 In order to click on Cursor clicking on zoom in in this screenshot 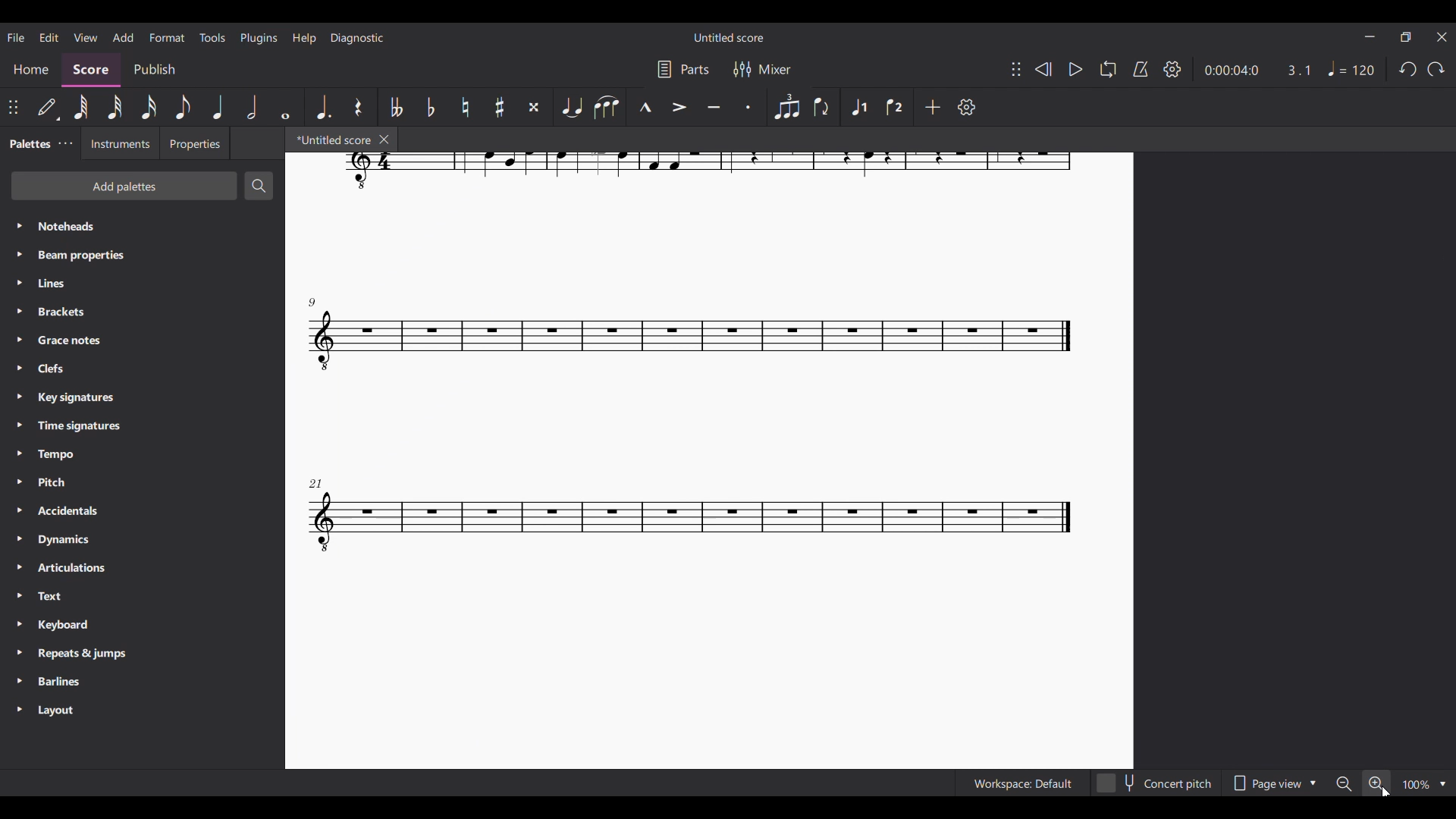, I will do `click(1385, 791)`.